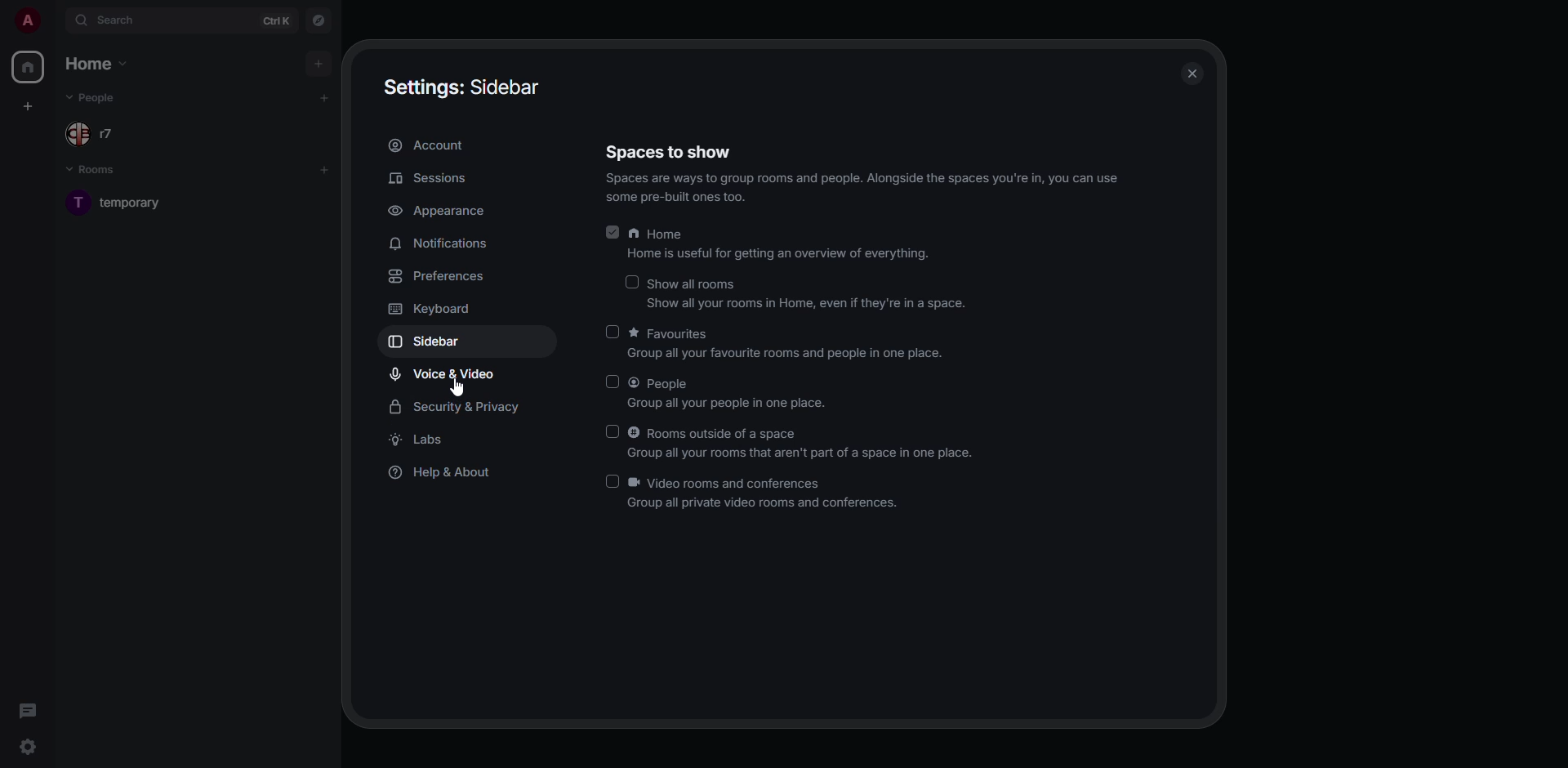 The width and height of the screenshot is (1568, 768). I want to click on r7, so click(104, 135).